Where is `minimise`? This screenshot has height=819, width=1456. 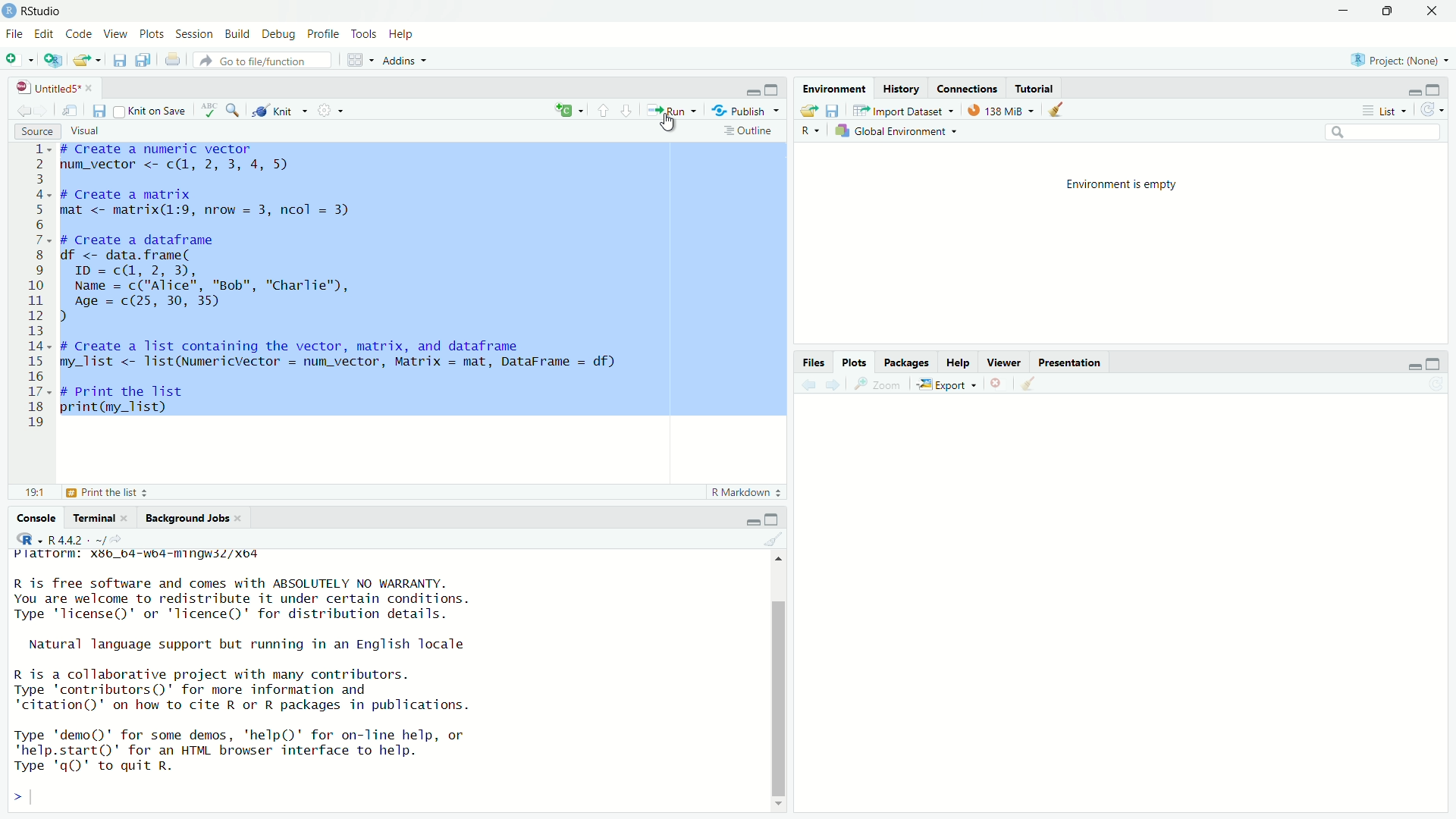
minimise is located at coordinates (1409, 368).